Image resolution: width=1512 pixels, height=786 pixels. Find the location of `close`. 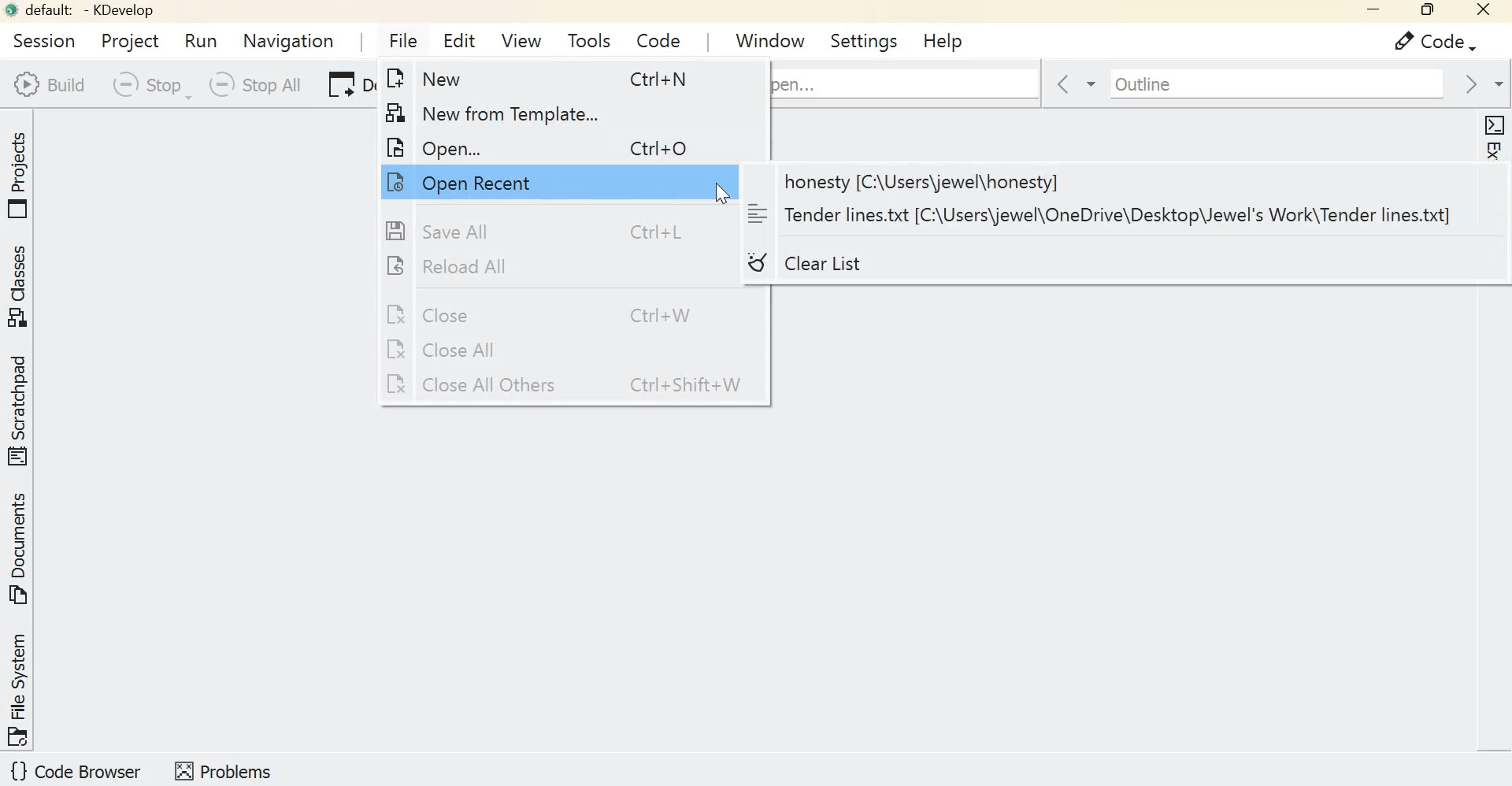

close is located at coordinates (1485, 13).